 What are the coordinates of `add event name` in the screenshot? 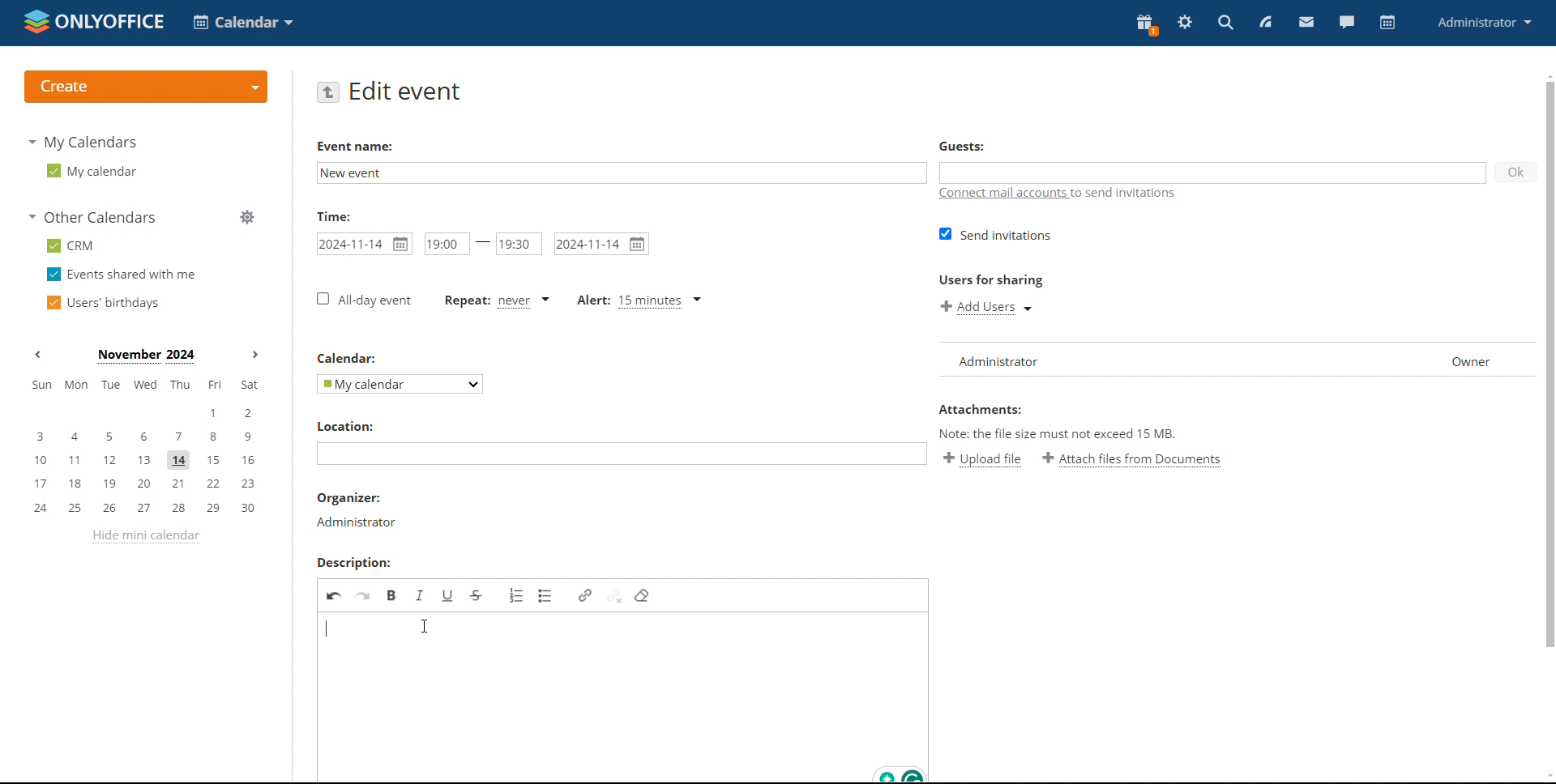 It's located at (621, 173).